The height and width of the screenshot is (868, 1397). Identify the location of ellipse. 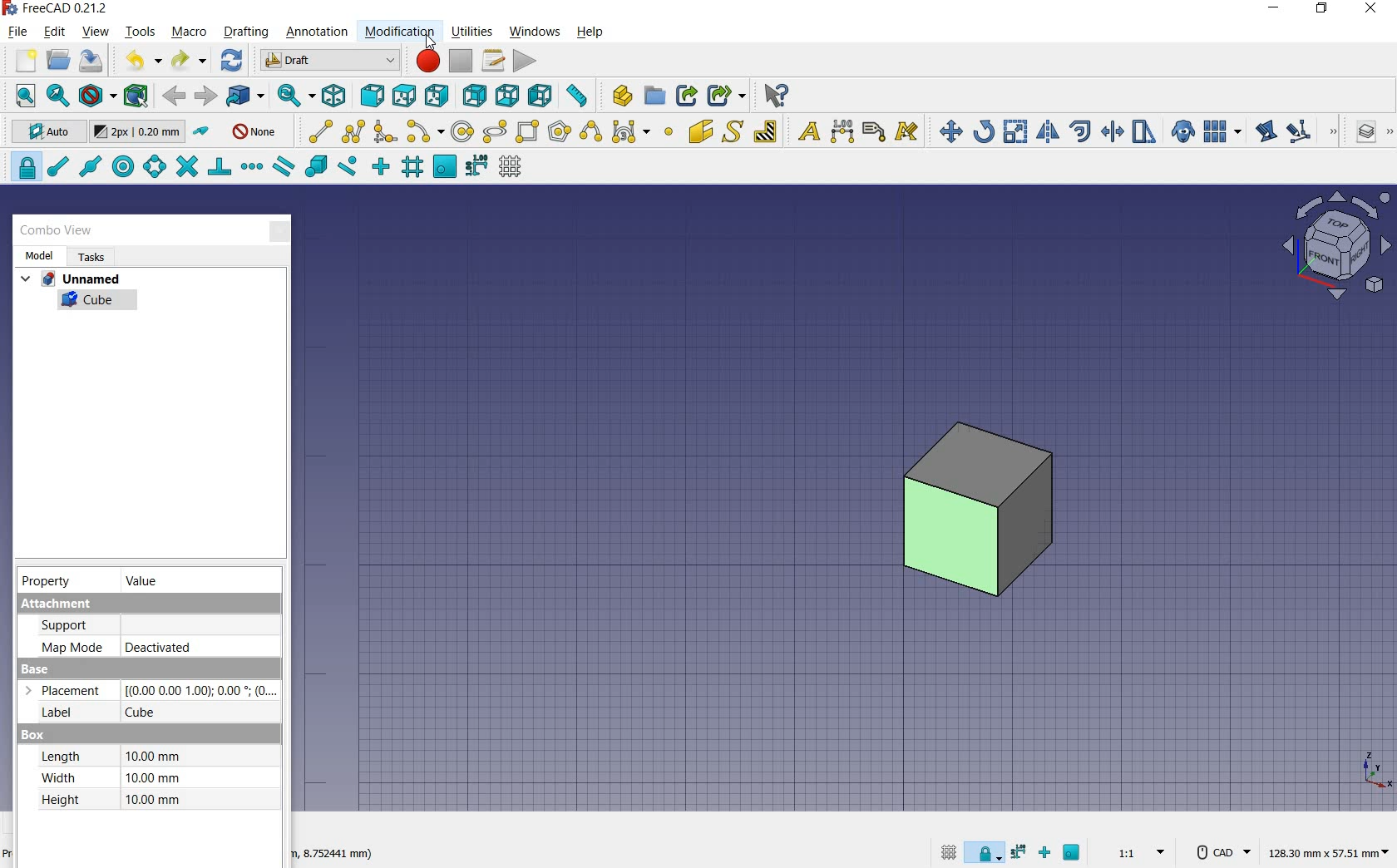
(496, 132).